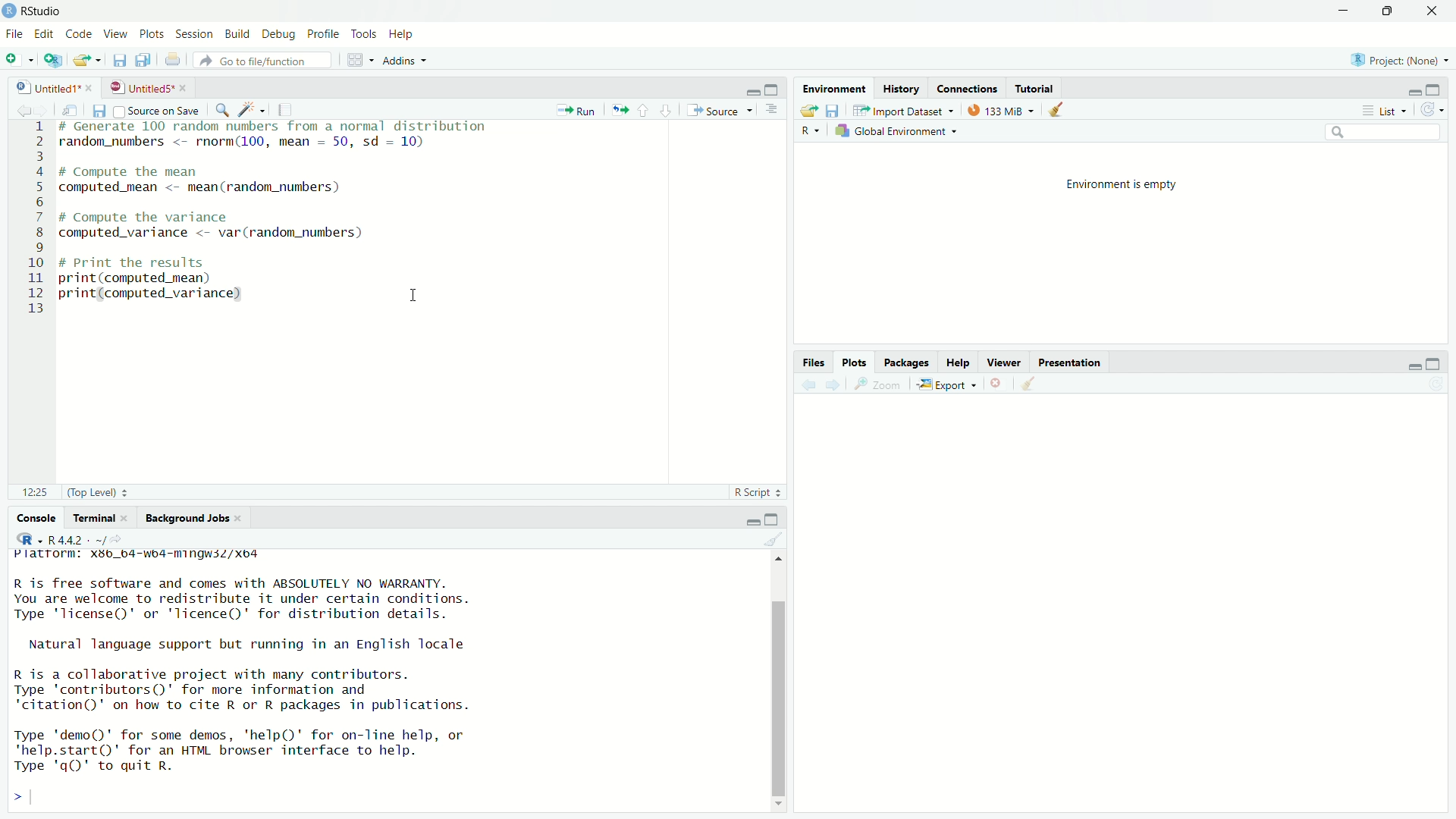 Image resolution: width=1456 pixels, height=819 pixels. What do you see at coordinates (835, 87) in the screenshot?
I see `environment` at bounding box center [835, 87].